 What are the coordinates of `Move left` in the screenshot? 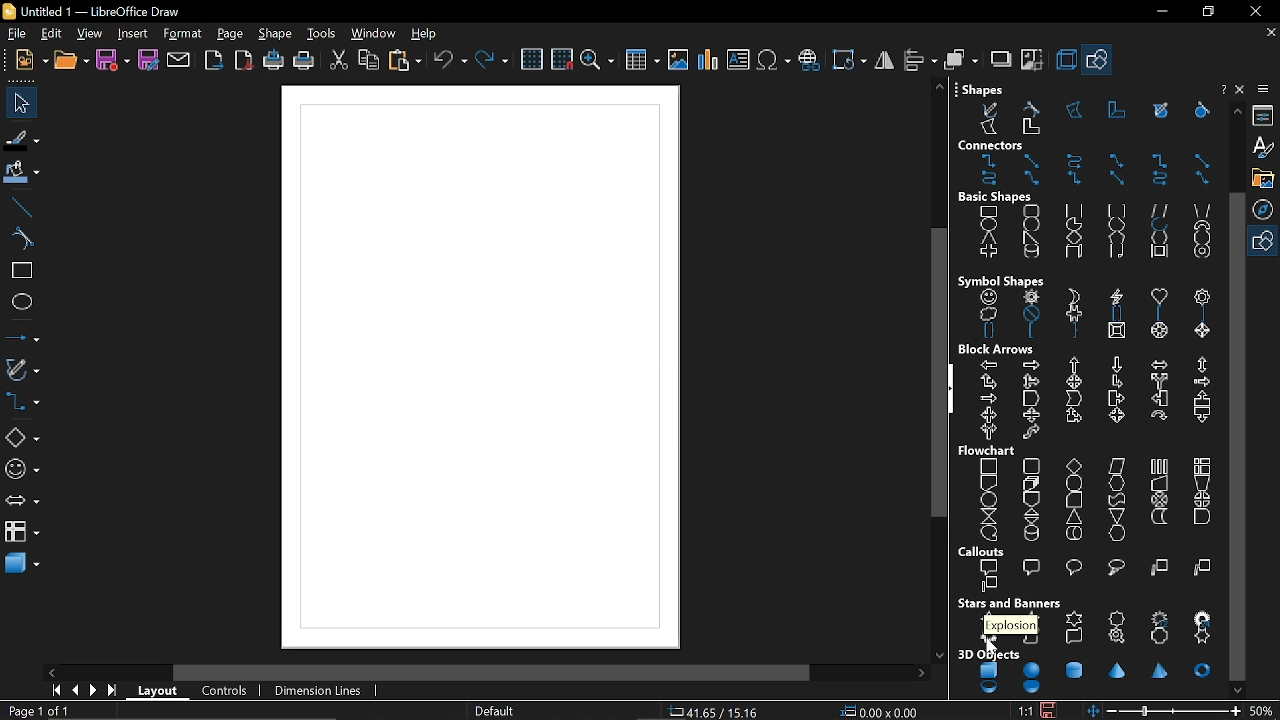 It's located at (51, 672).